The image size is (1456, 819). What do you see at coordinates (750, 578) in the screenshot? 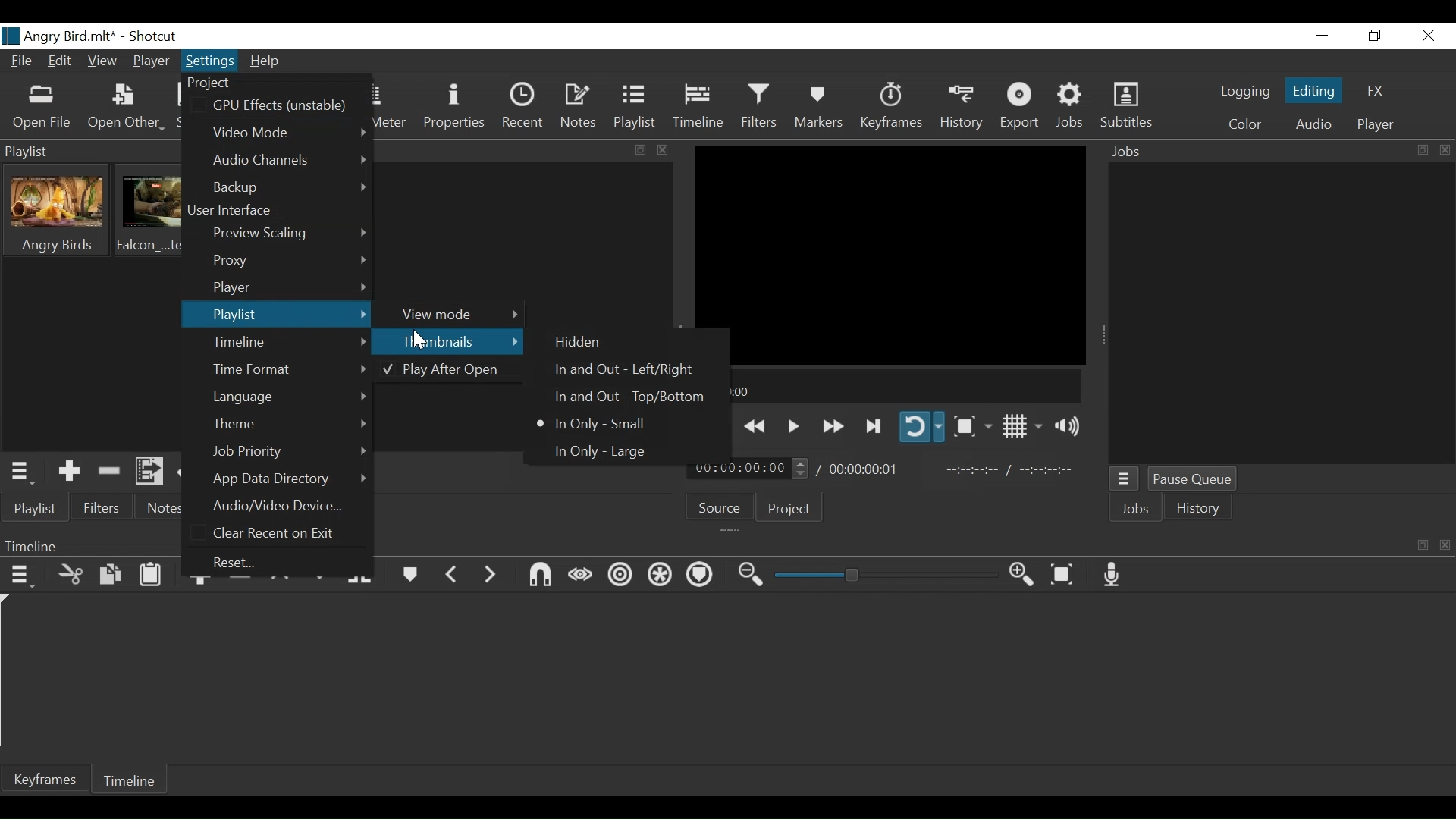
I see `Zoom timeline out` at bounding box center [750, 578].